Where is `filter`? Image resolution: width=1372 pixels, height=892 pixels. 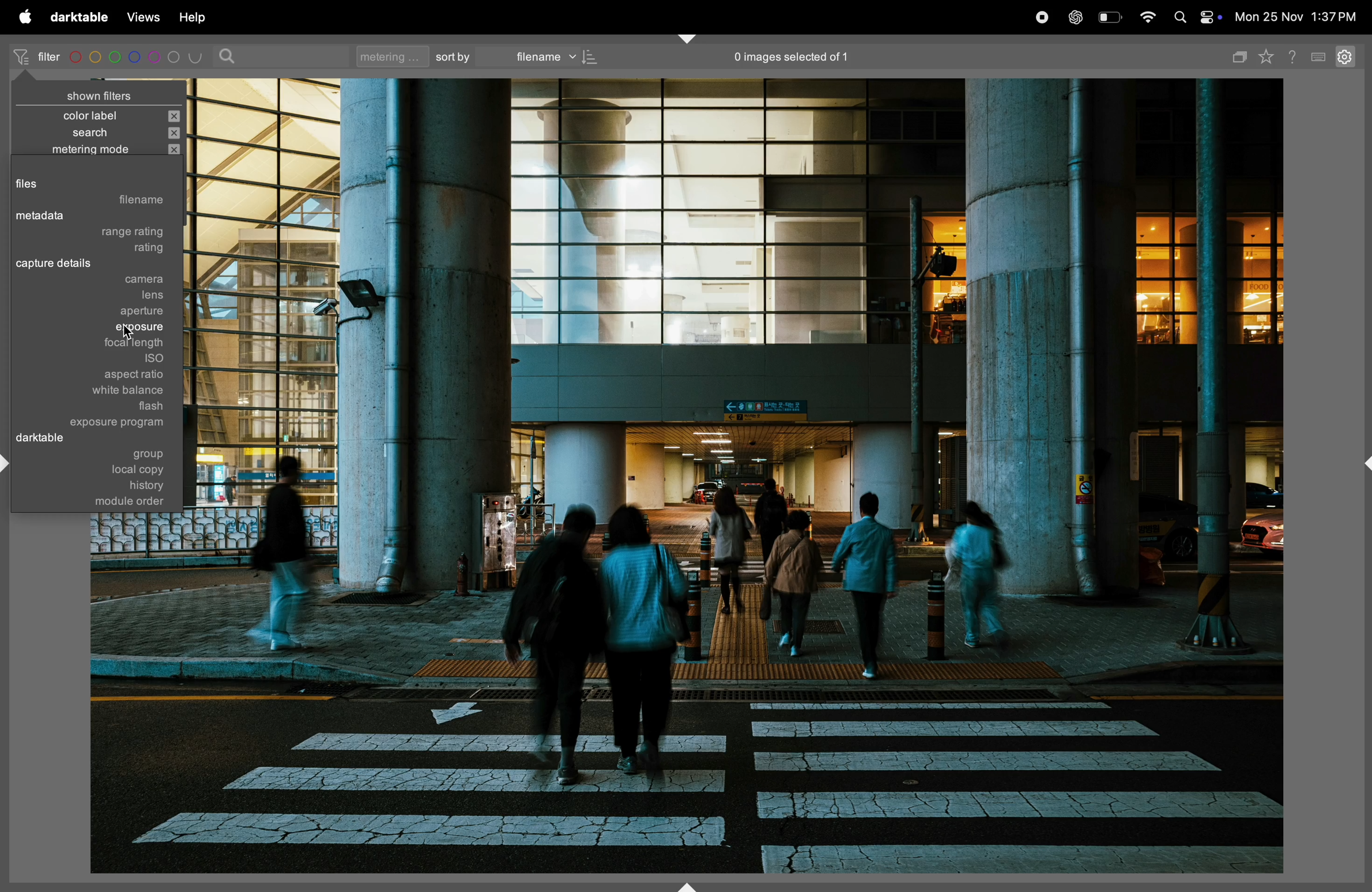 filter is located at coordinates (36, 56).